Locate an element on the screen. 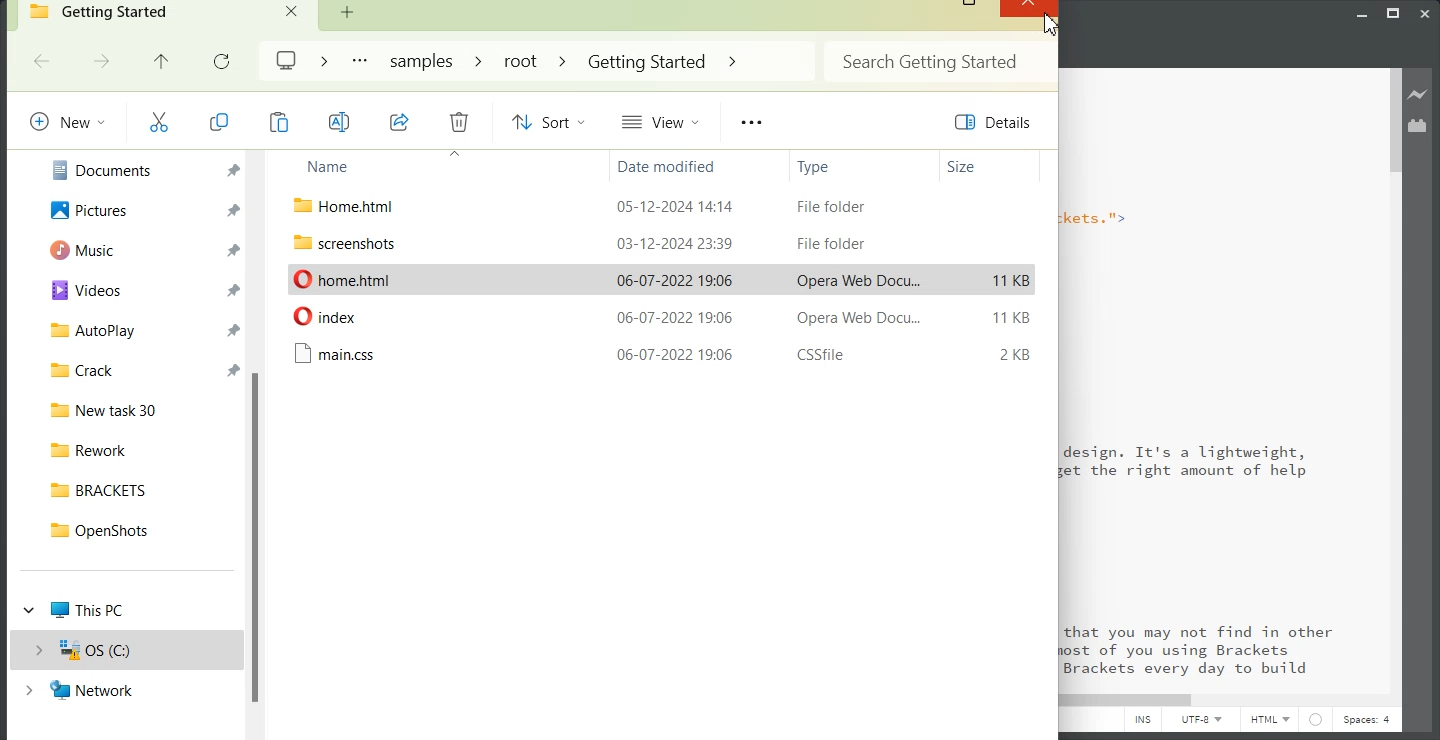 This screenshot has height=740, width=1440. File is located at coordinates (355, 206).